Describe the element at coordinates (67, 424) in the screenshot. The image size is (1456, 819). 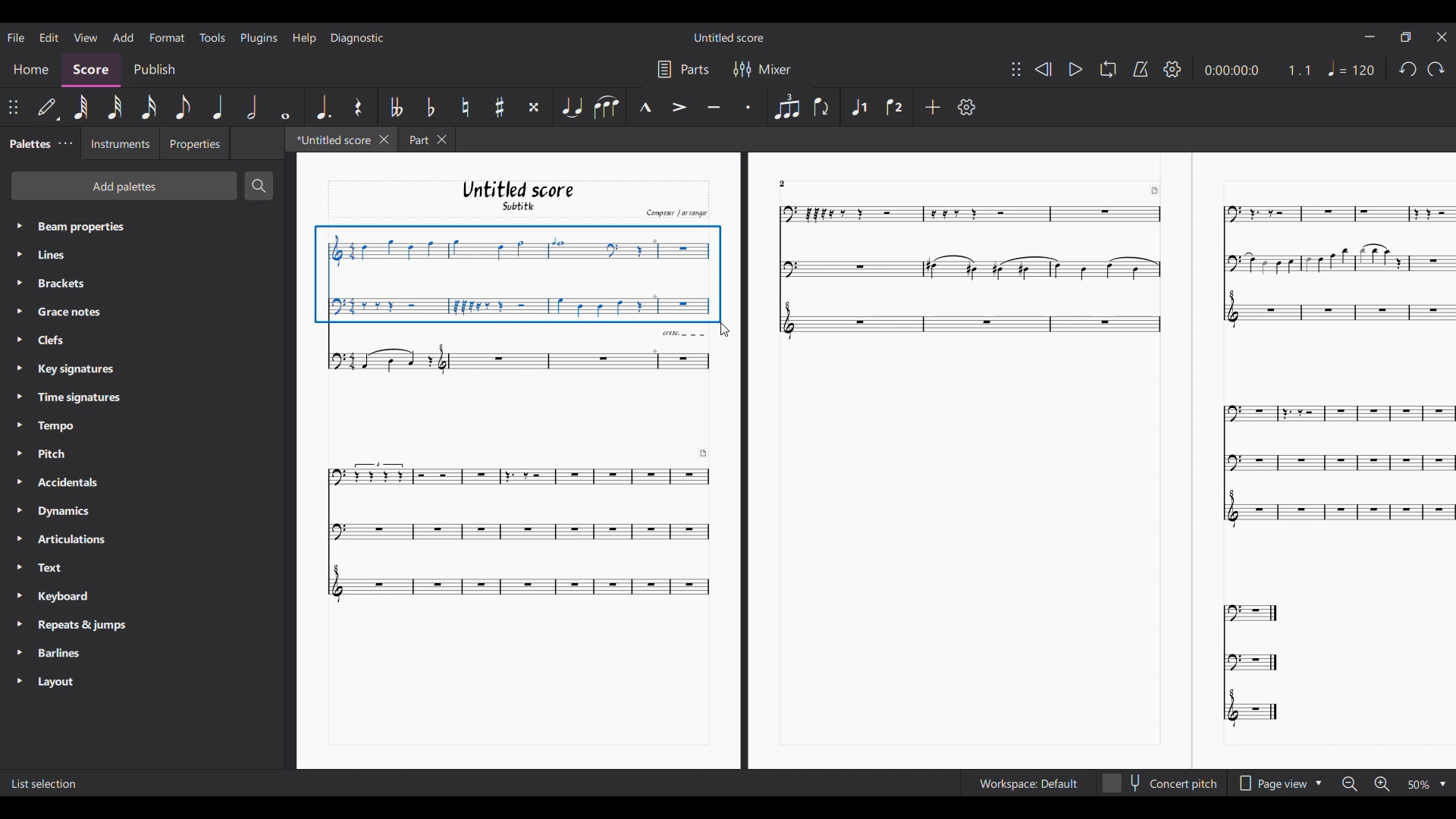
I see `Tempo` at that location.